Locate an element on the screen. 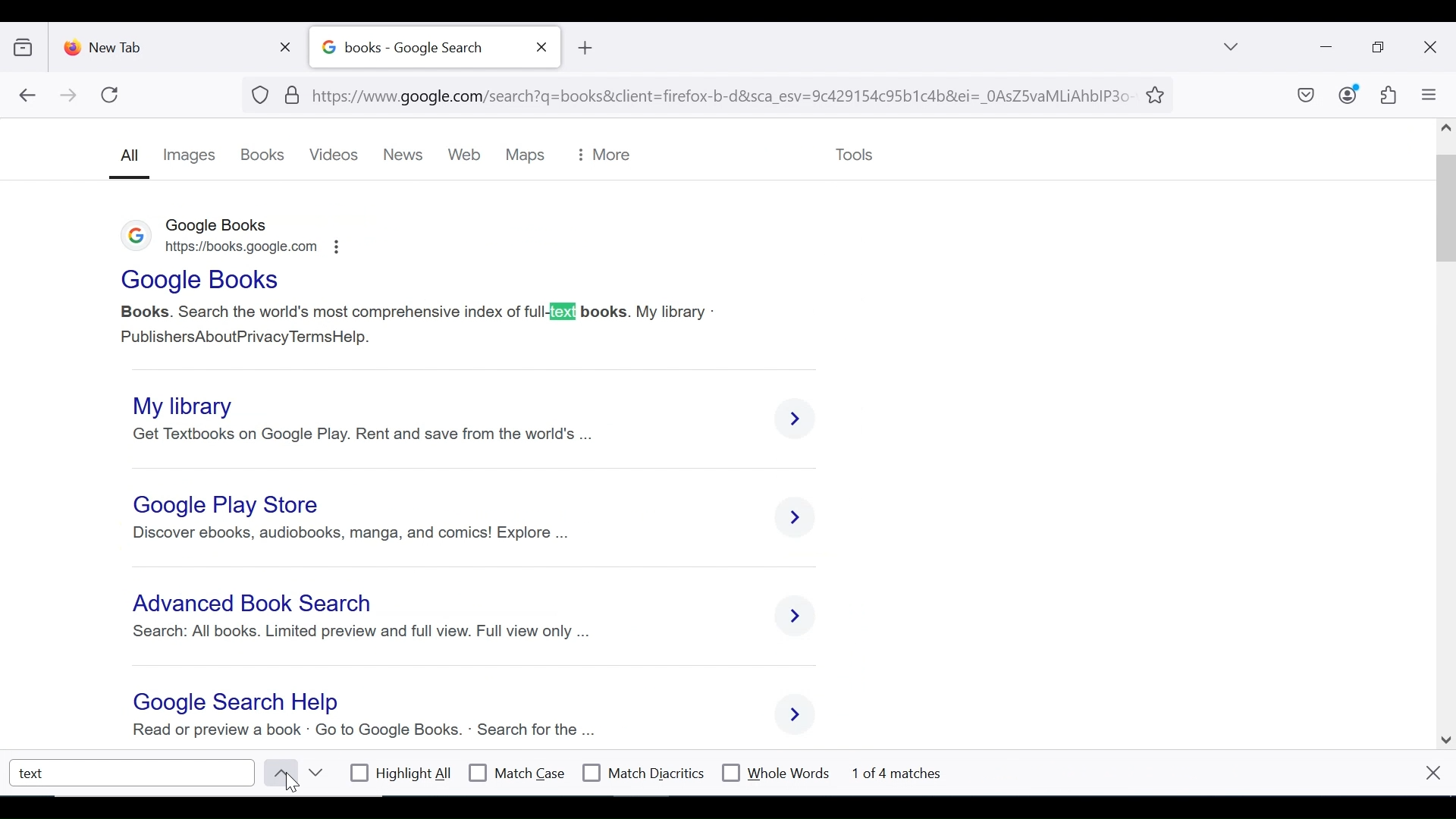  minimize is located at coordinates (1324, 45).